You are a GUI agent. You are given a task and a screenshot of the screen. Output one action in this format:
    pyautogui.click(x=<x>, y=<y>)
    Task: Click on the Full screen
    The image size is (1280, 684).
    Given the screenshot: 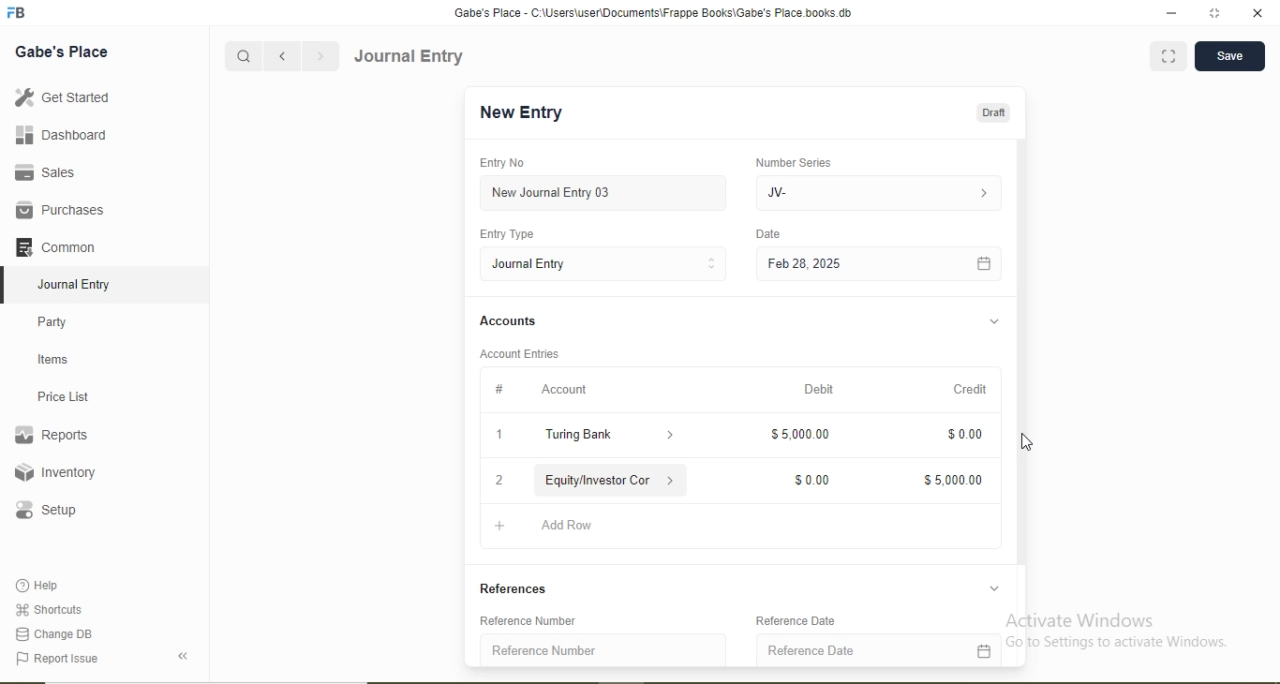 What is the action you would take?
    pyautogui.click(x=1169, y=55)
    